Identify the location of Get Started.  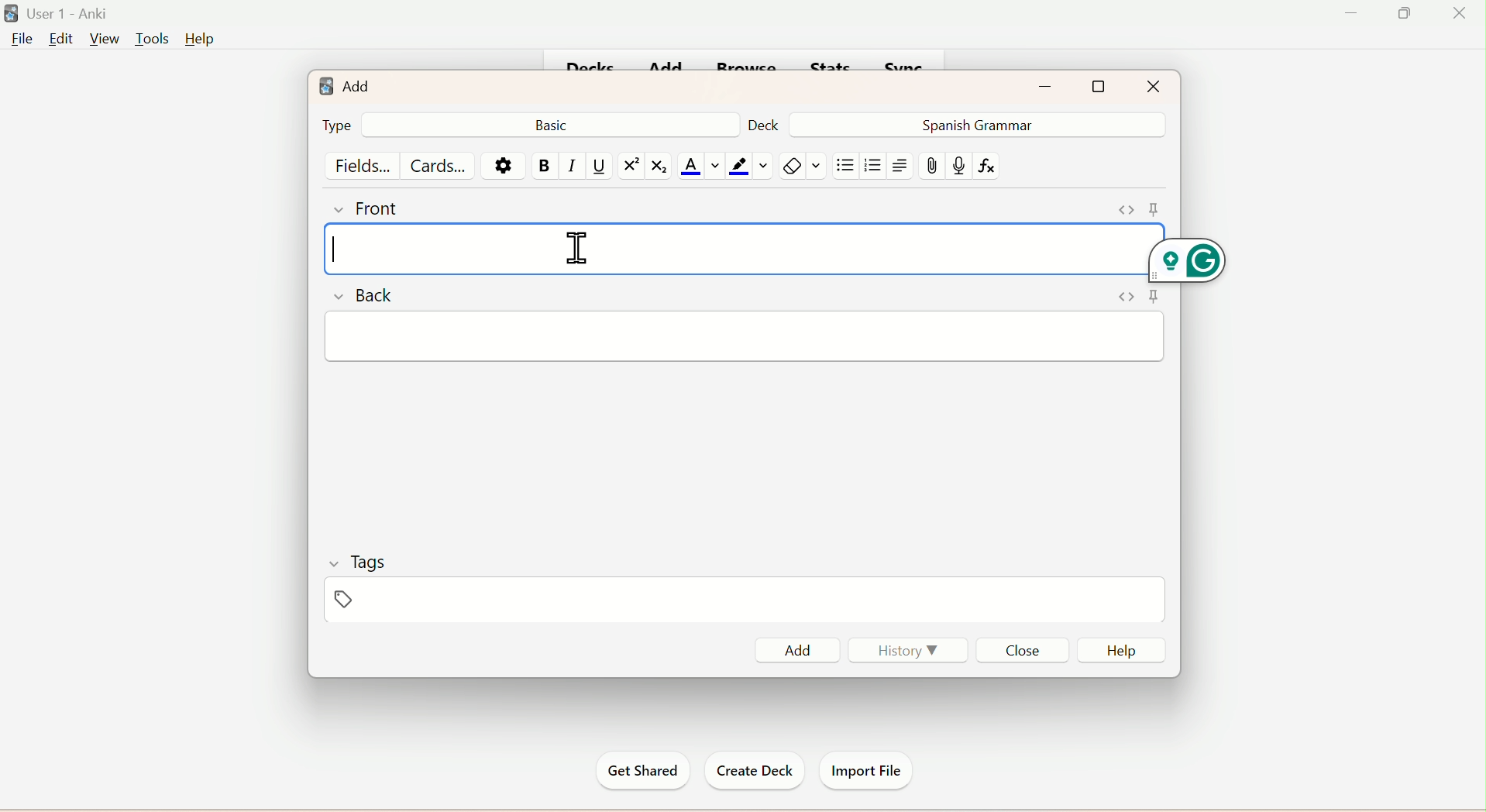
(645, 771).